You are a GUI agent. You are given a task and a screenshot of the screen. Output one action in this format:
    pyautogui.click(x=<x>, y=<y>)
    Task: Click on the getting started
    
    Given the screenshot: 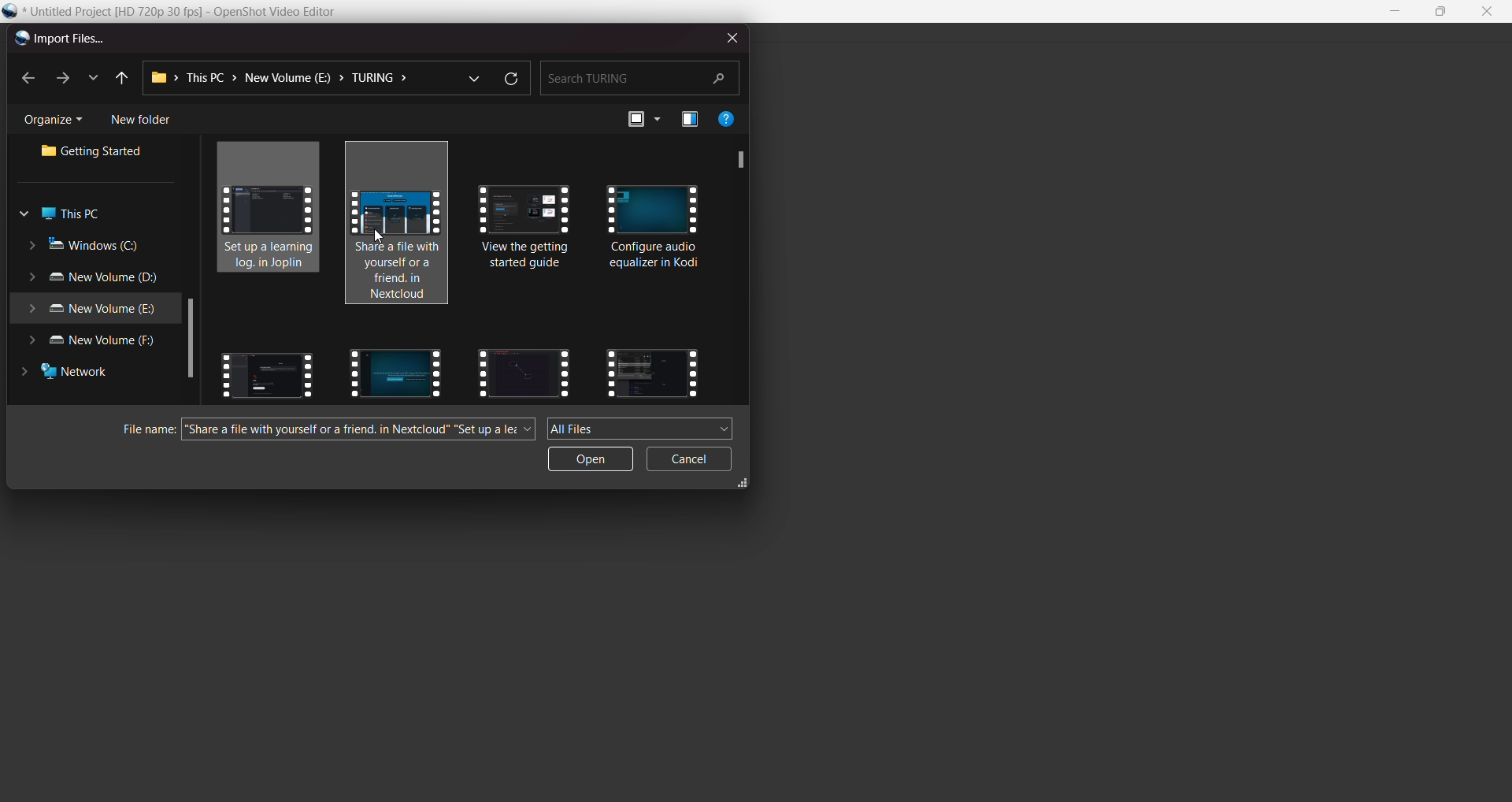 What is the action you would take?
    pyautogui.click(x=97, y=153)
    